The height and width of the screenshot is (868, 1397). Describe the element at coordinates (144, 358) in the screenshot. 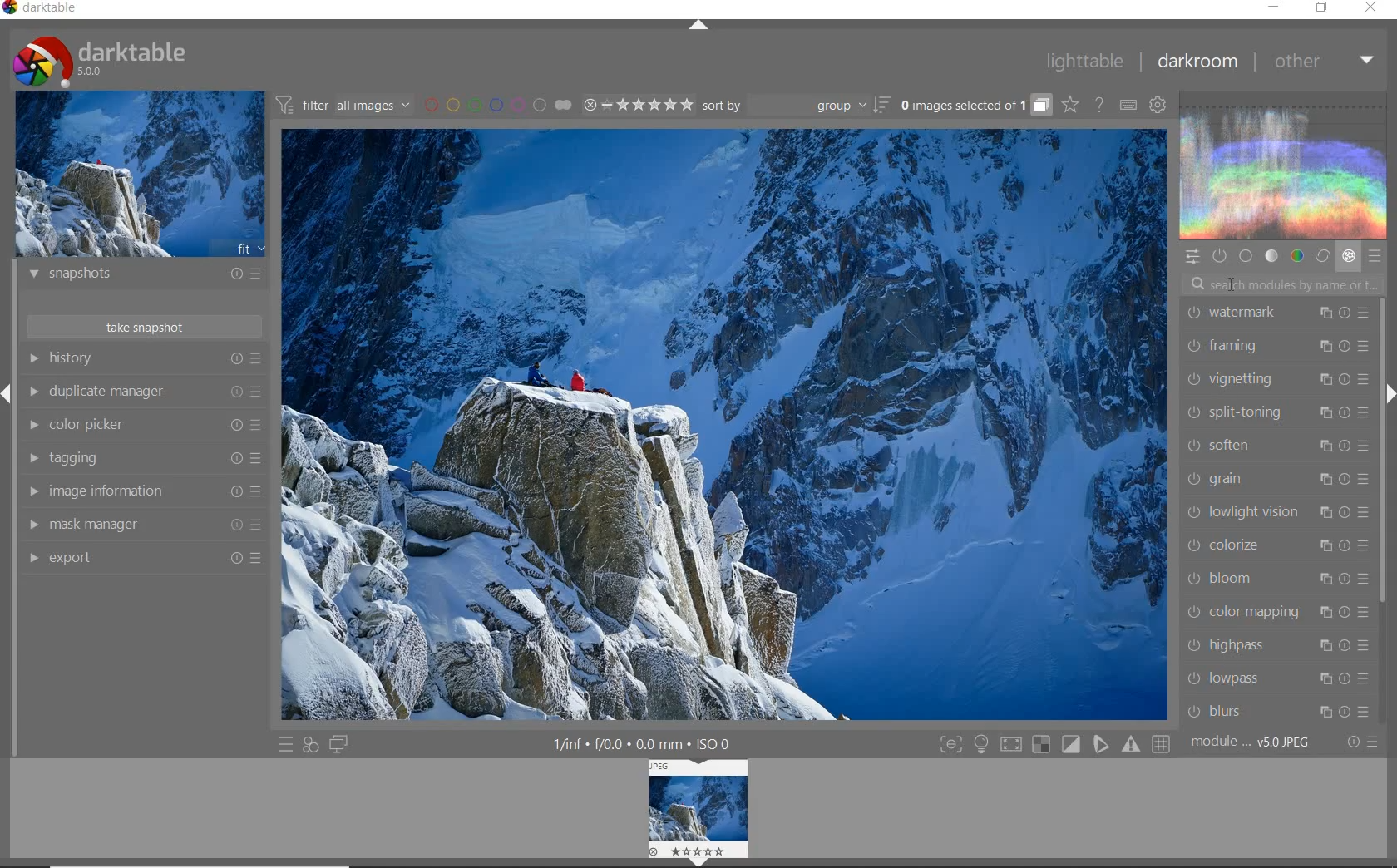

I see `history` at that location.